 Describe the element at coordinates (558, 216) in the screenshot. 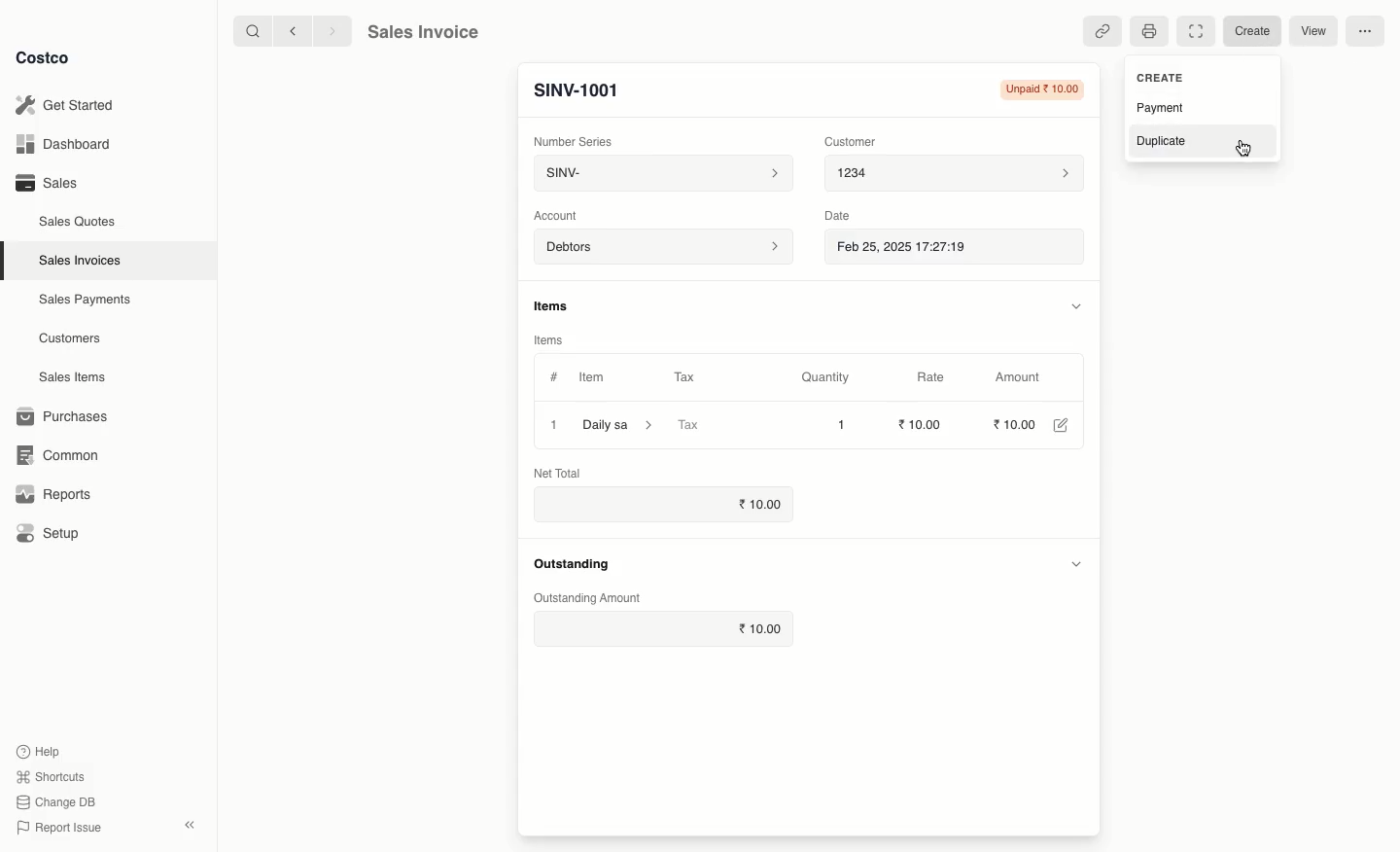

I see `‘Account` at that location.